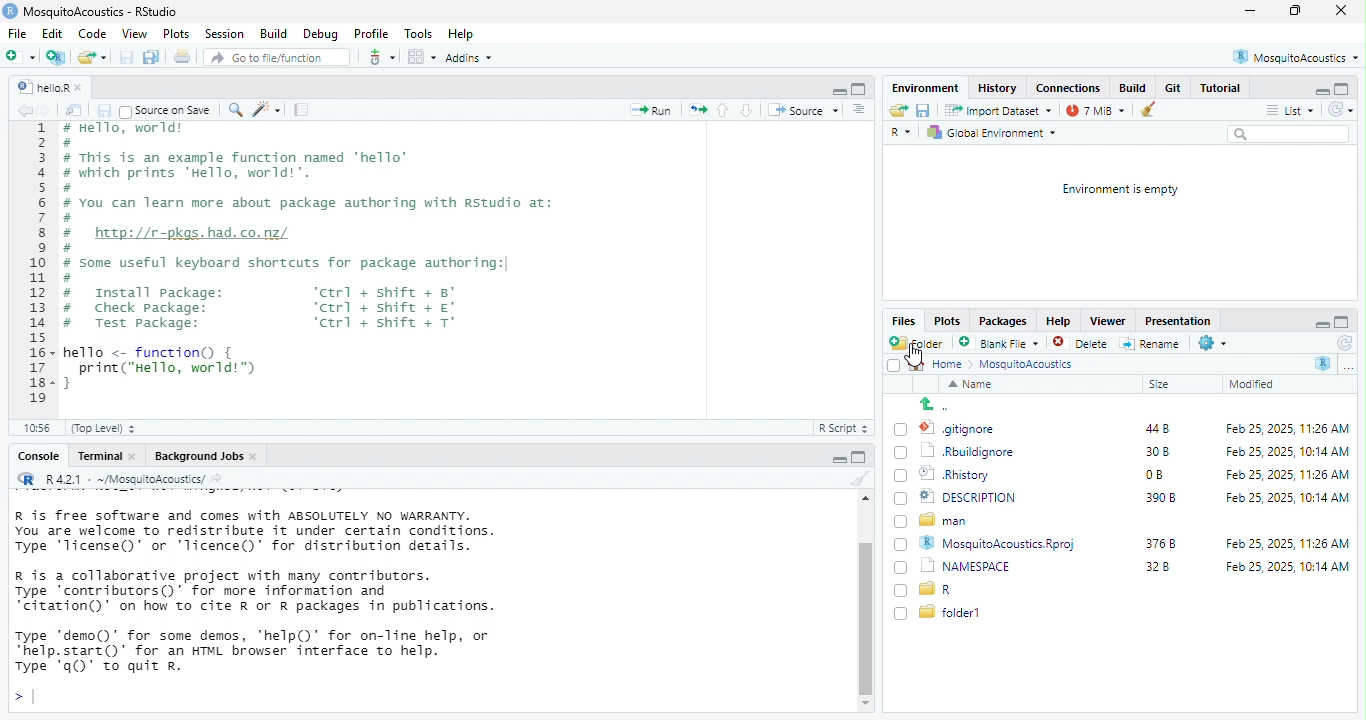  What do you see at coordinates (897, 591) in the screenshot?
I see `checkbox` at bounding box center [897, 591].